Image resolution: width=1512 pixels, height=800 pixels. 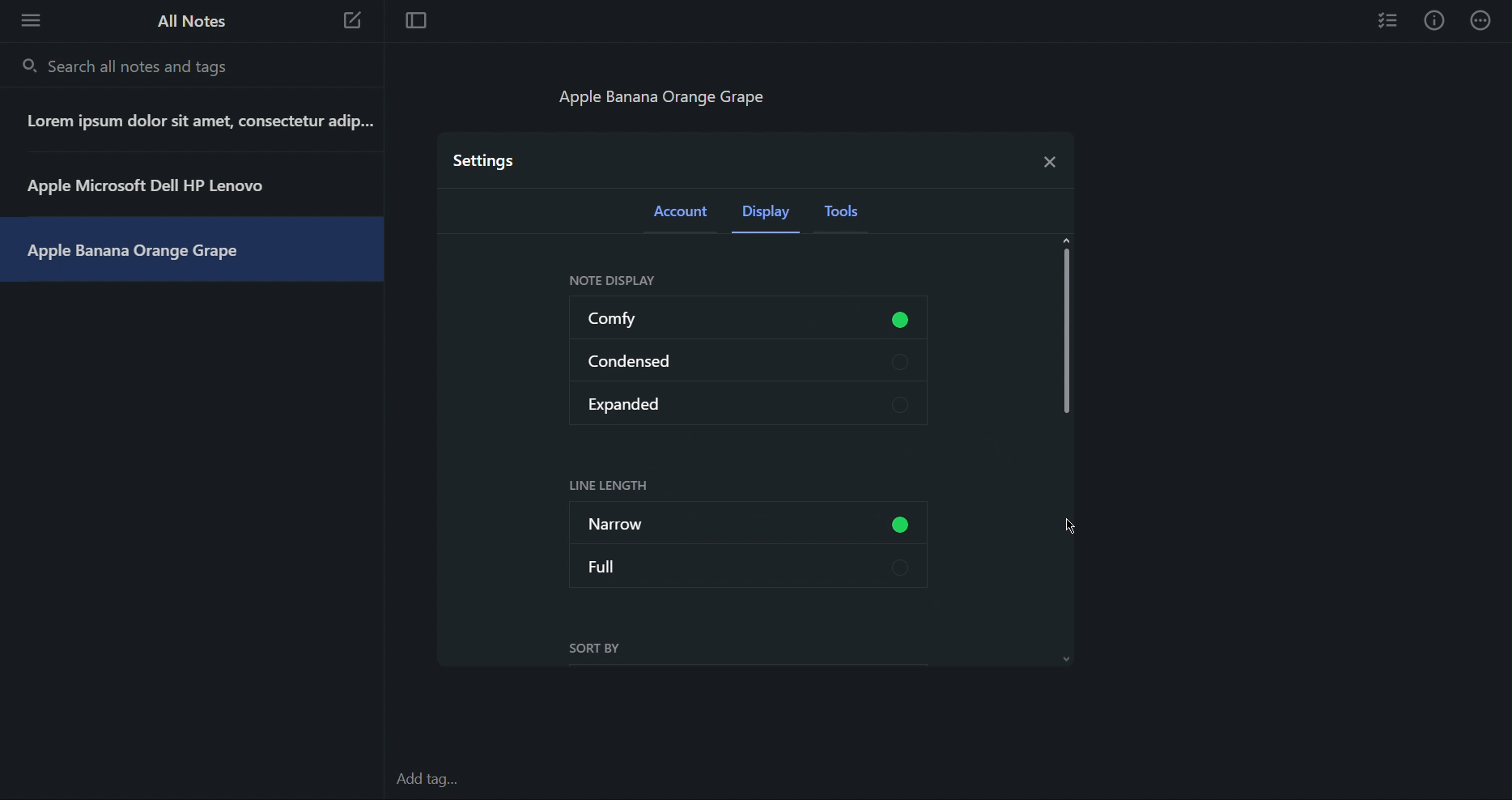 I want to click on button, so click(x=907, y=524).